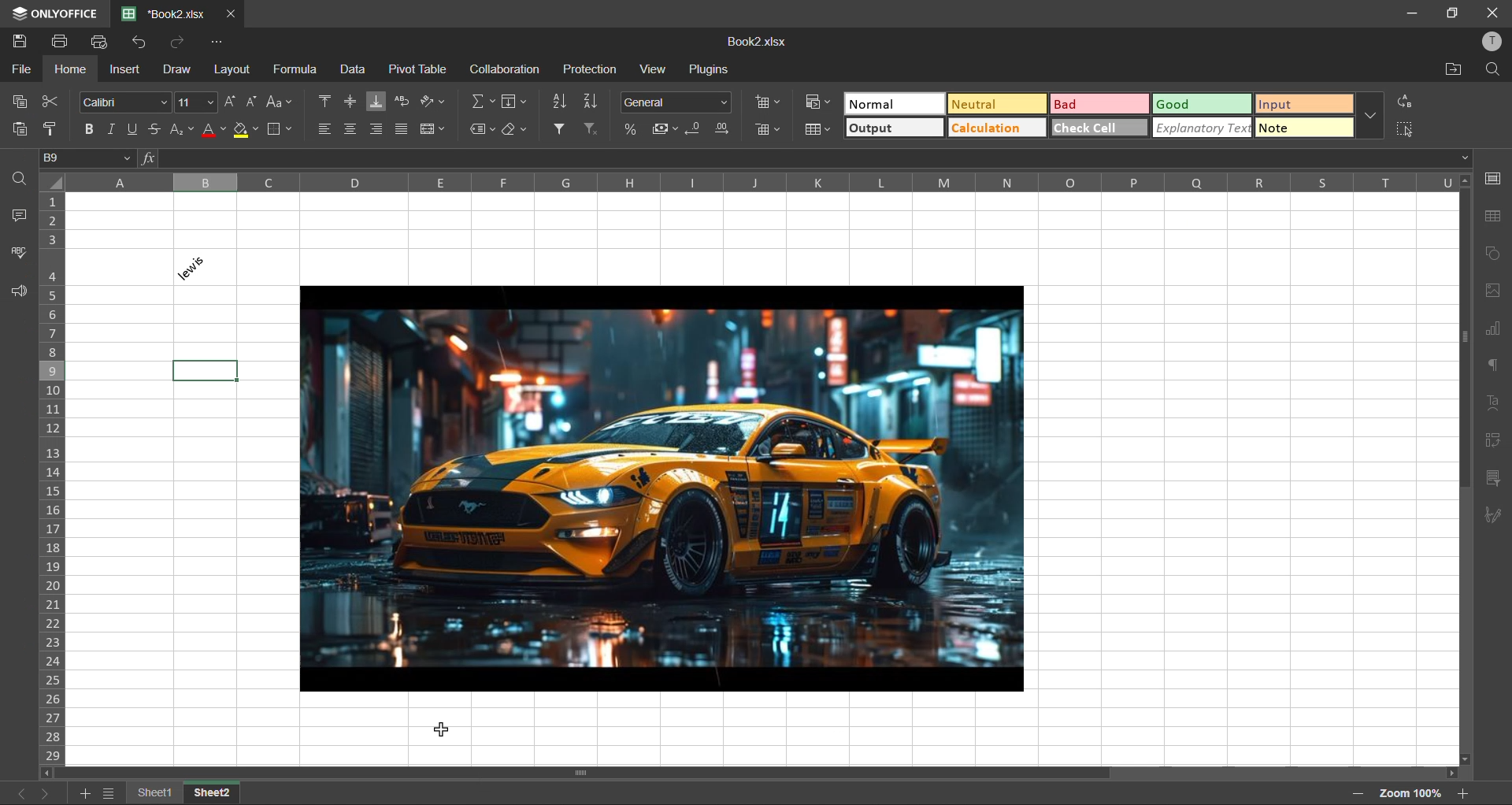  What do you see at coordinates (1409, 13) in the screenshot?
I see `minimize` at bounding box center [1409, 13].